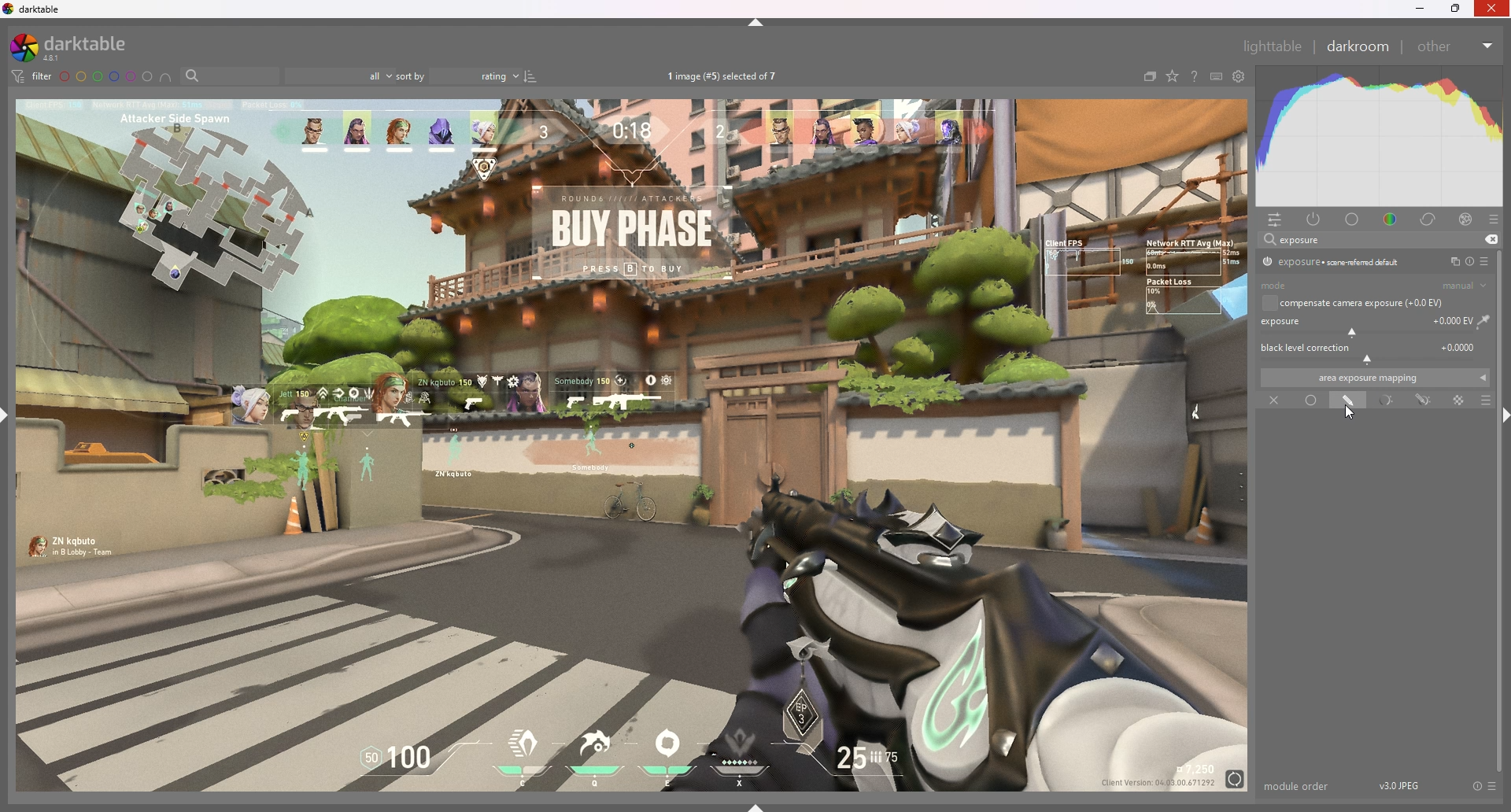  What do you see at coordinates (1491, 240) in the screenshot?
I see `remove` at bounding box center [1491, 240].